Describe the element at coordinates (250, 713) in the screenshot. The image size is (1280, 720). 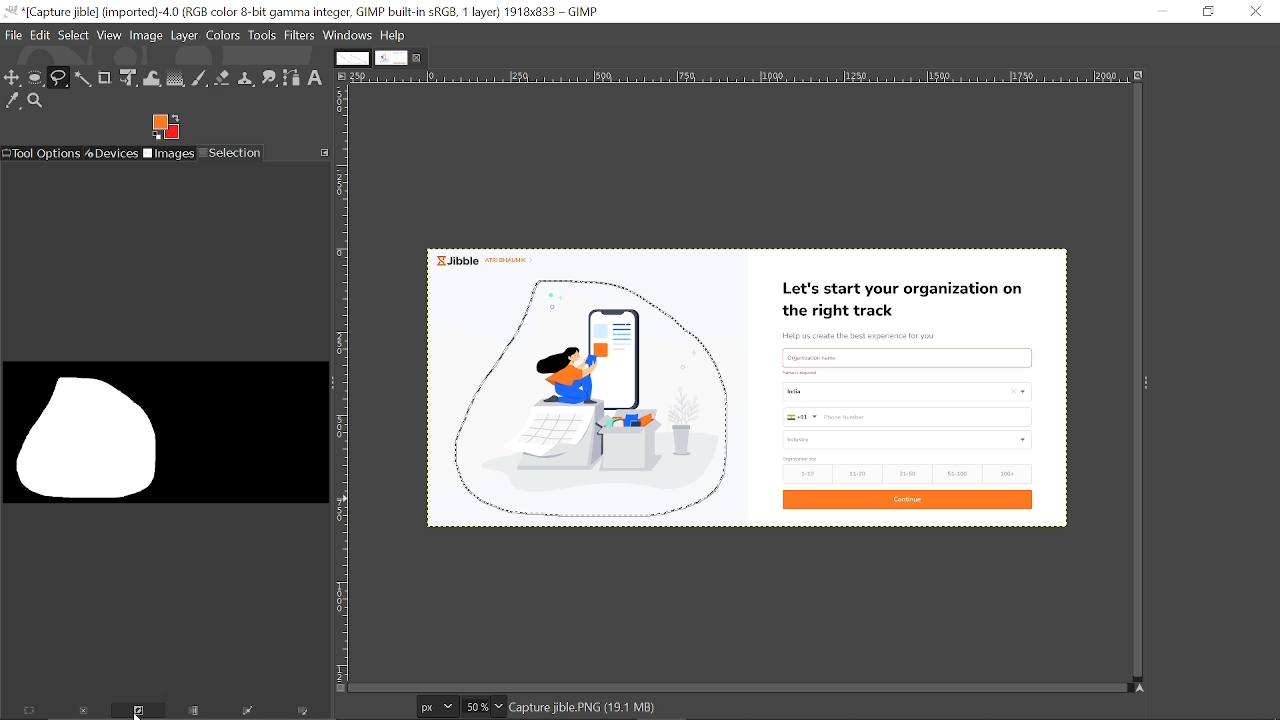
I see `Selection to path` at that location.